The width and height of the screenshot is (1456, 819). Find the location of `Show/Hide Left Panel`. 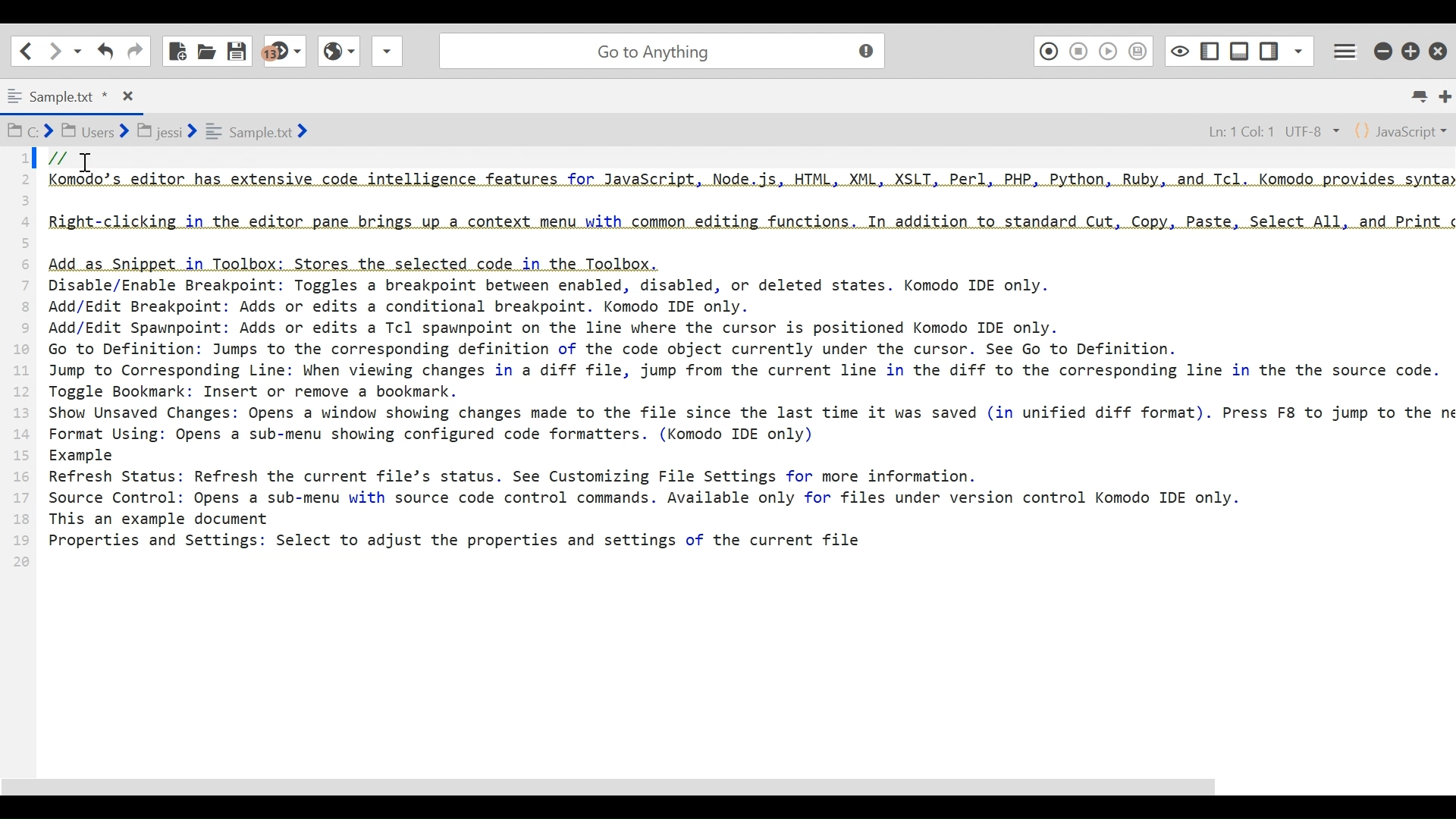

Show/Hide Left Panel is located at coordinates (1270, 48).